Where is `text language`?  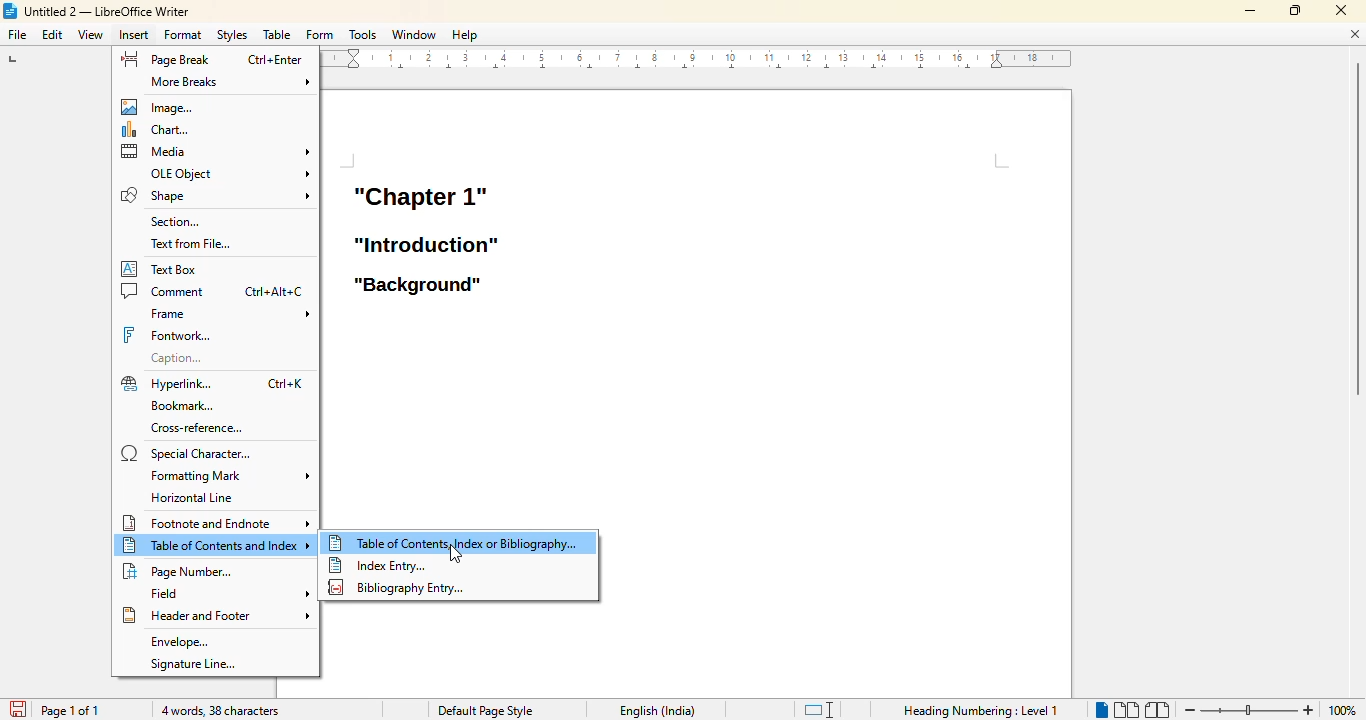
text language is located at coordinates (658, 711).